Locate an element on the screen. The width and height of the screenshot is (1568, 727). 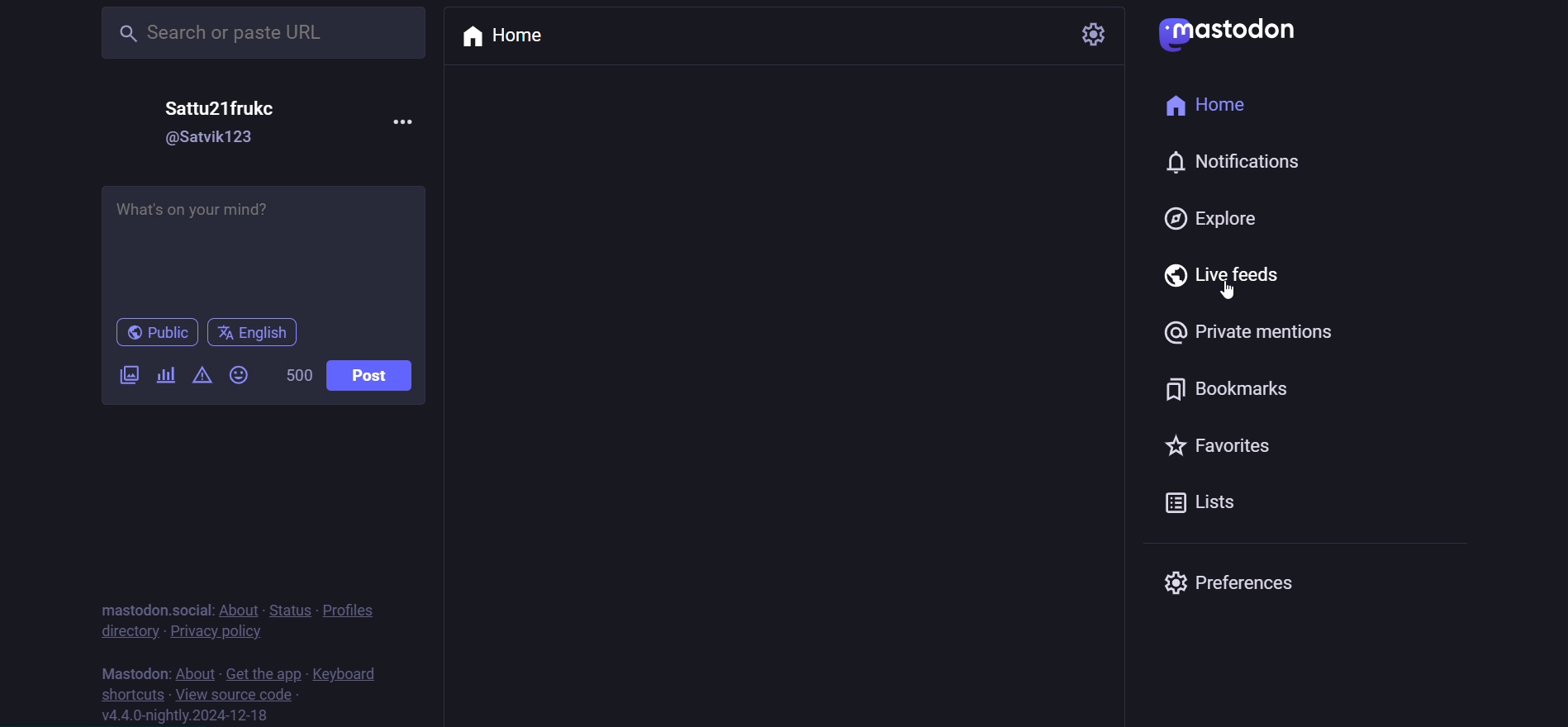
poll is located at coordinates (167, 373).